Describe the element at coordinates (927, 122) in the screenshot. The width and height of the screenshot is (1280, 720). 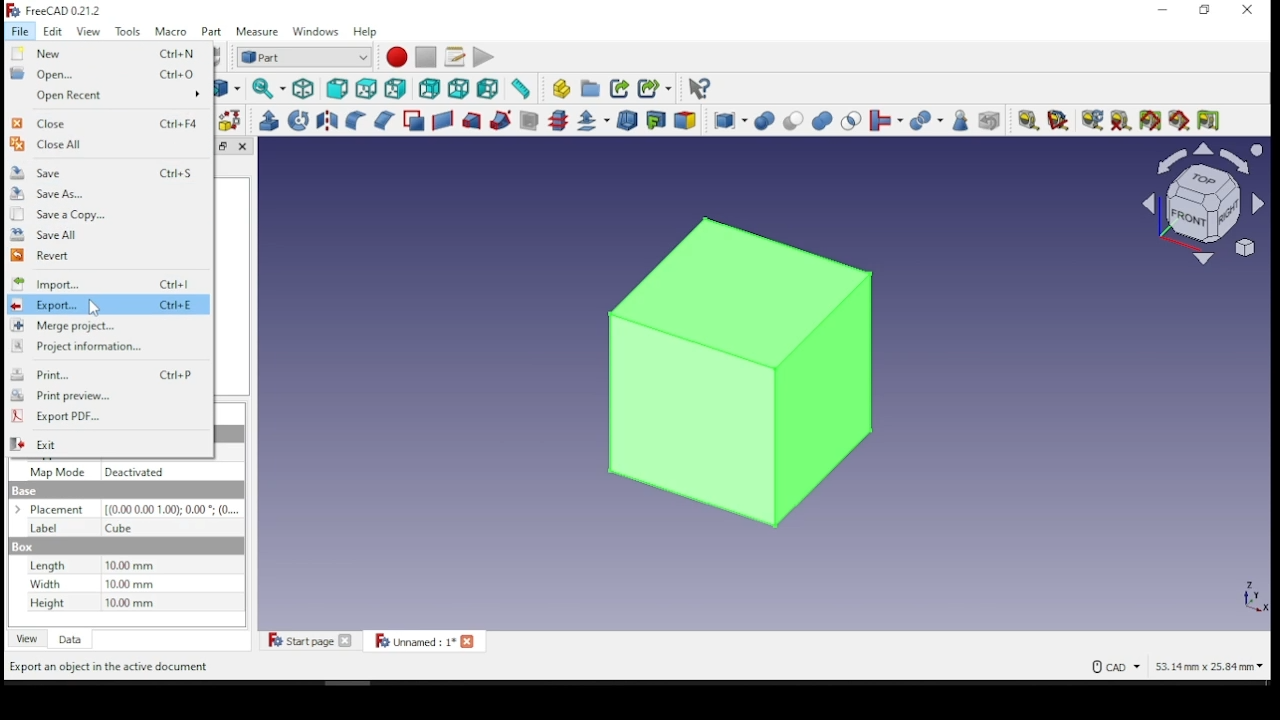
I see `split objects` at that location.